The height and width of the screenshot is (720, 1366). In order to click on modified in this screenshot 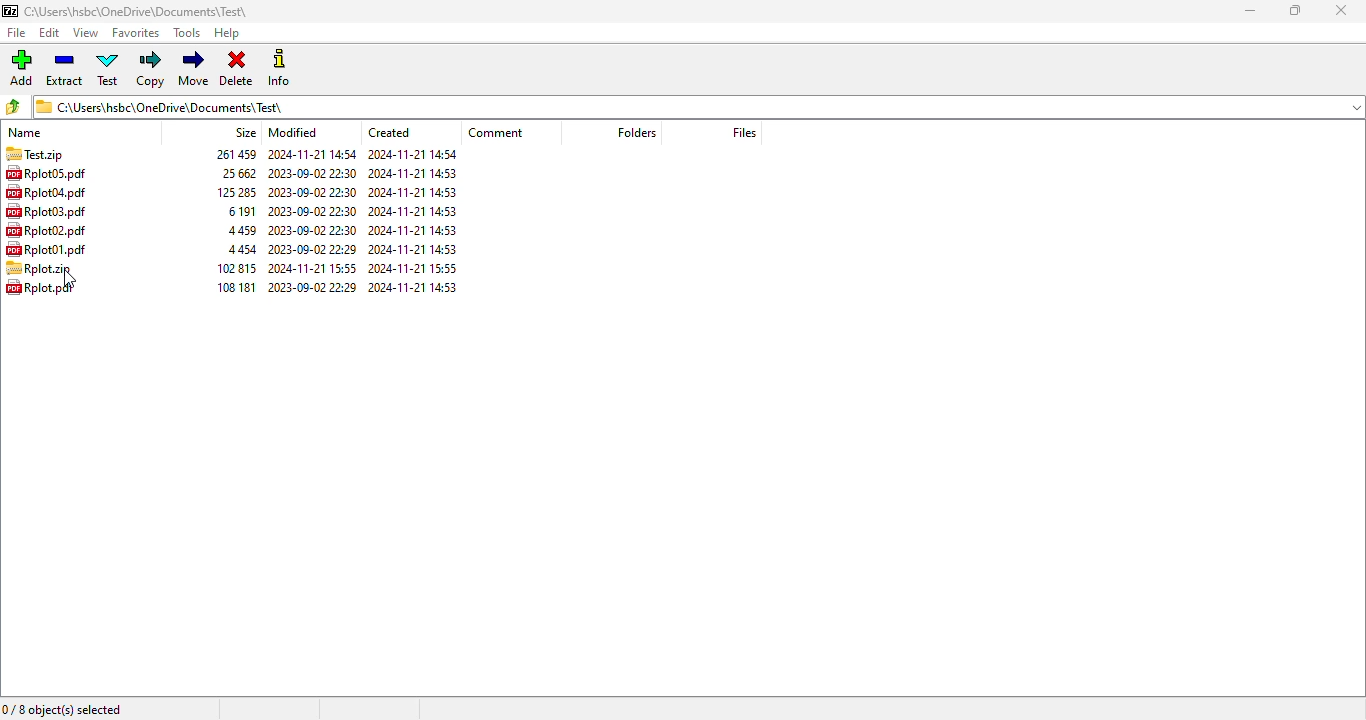, I will do `click(292, 133)`.